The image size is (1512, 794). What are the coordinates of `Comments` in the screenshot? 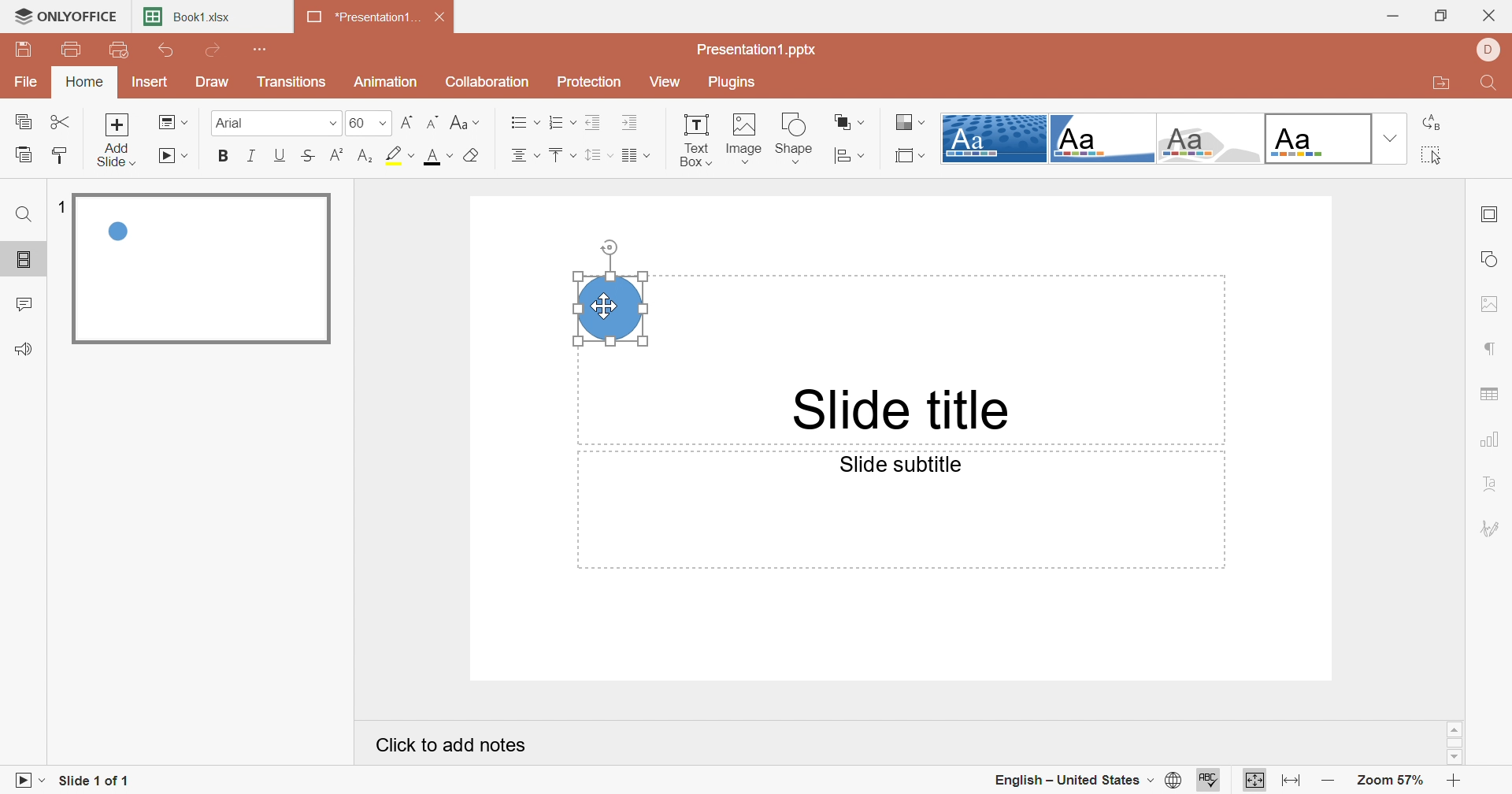 It's located at (24, 306).